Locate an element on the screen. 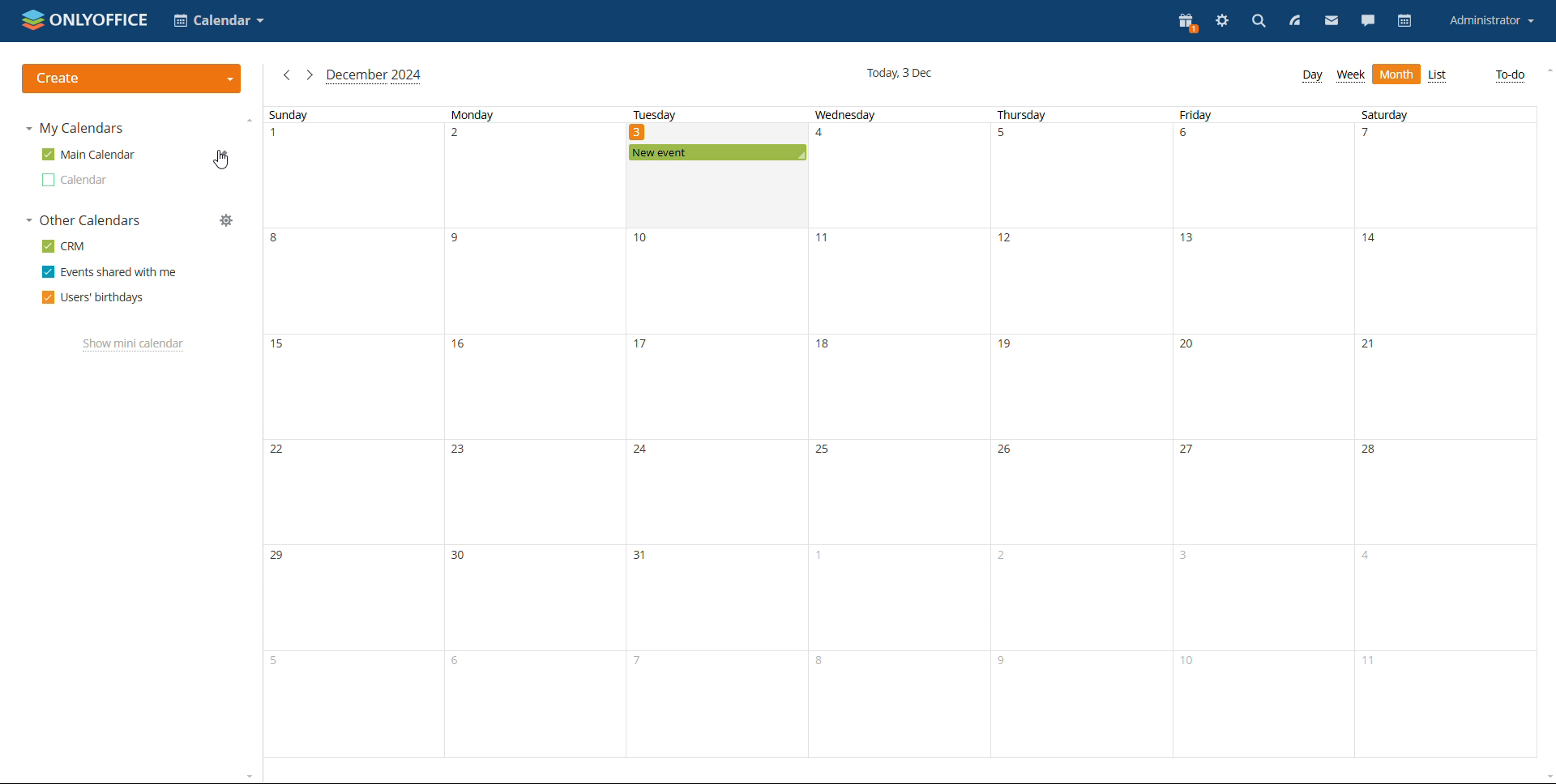 This screenshot has height=784, width=1556. date is located at coordinates (1258, 706).